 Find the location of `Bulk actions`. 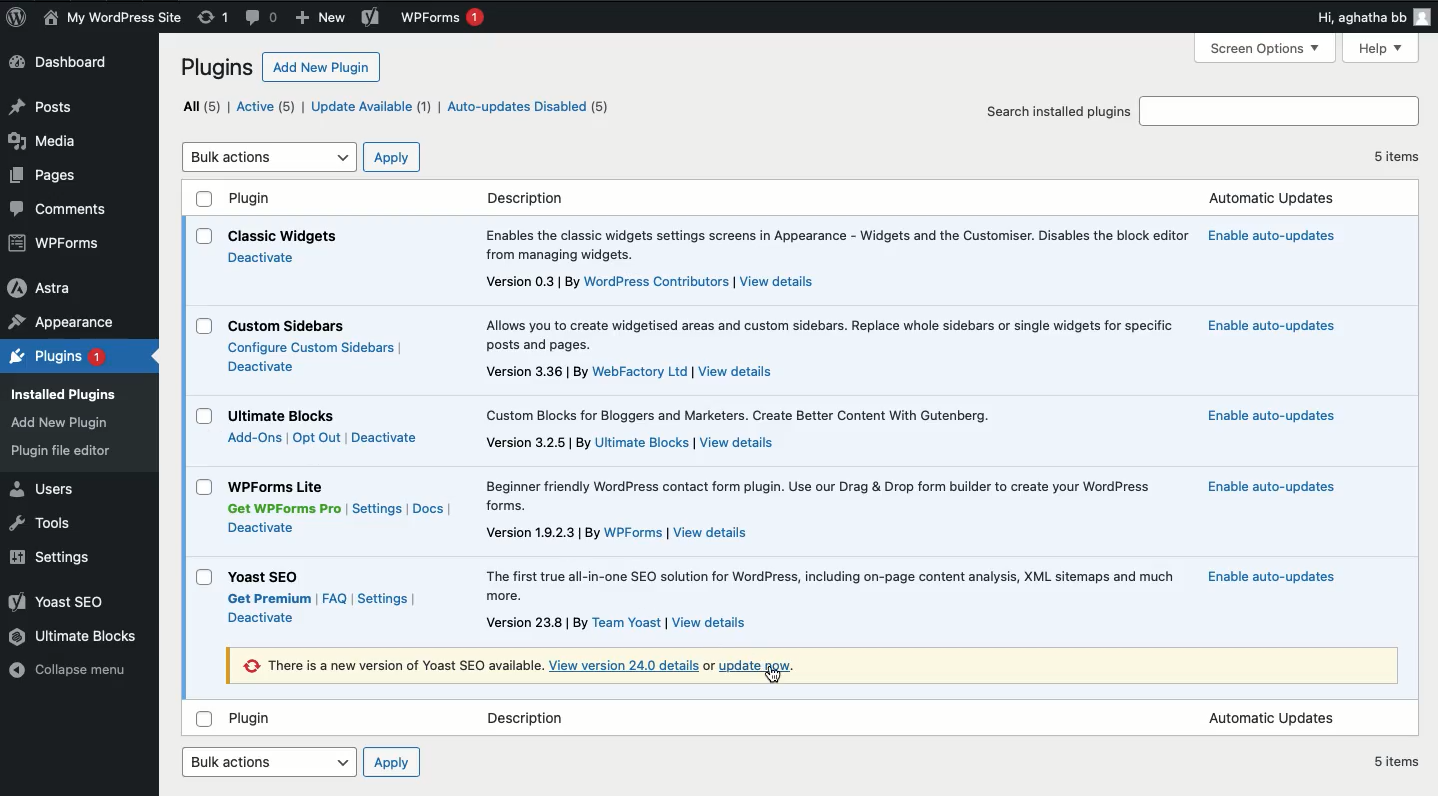

Bulk actions is located at coordinates (271, 762).